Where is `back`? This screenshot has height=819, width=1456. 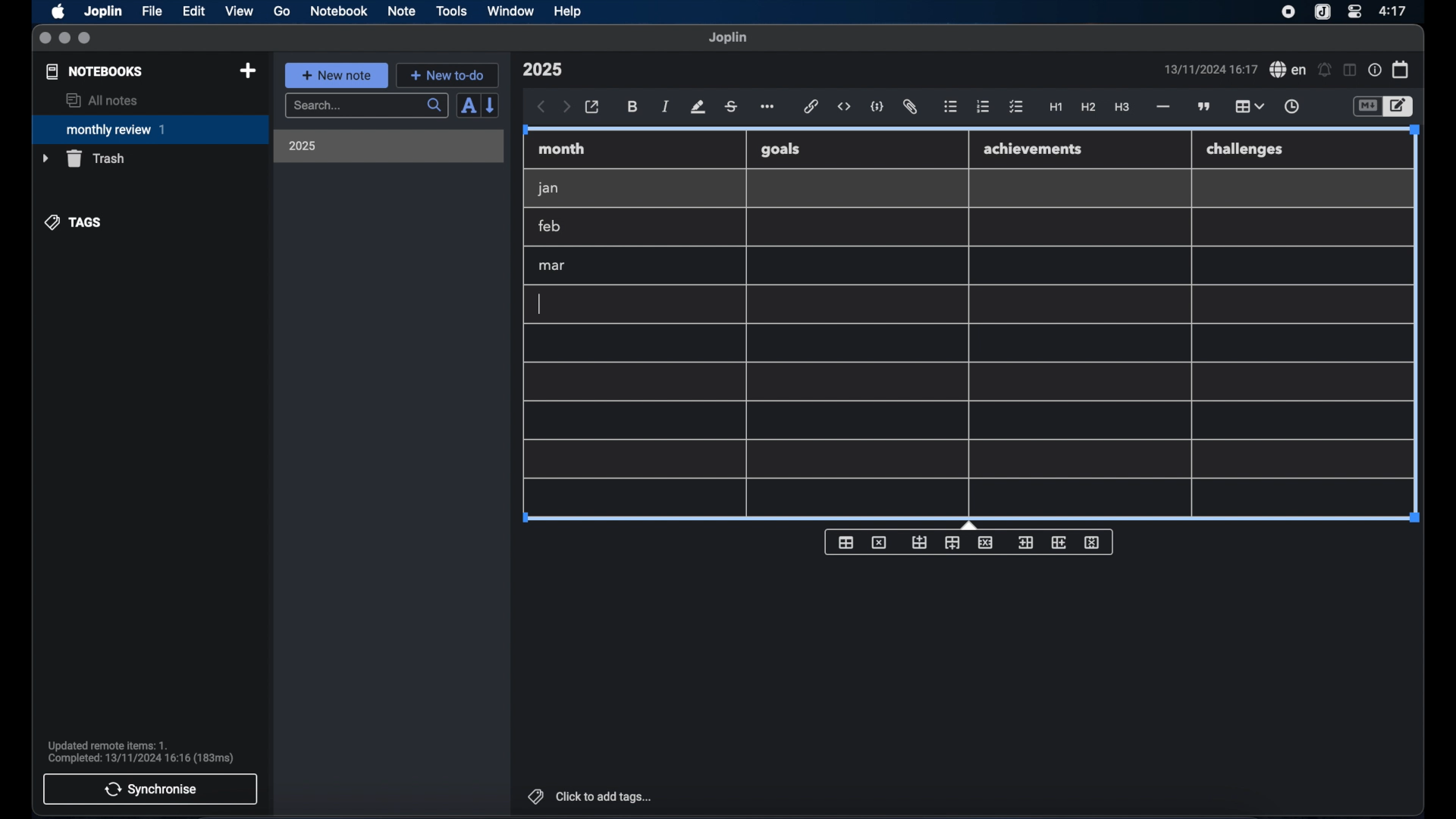 back is located at coordinates (541, 107).